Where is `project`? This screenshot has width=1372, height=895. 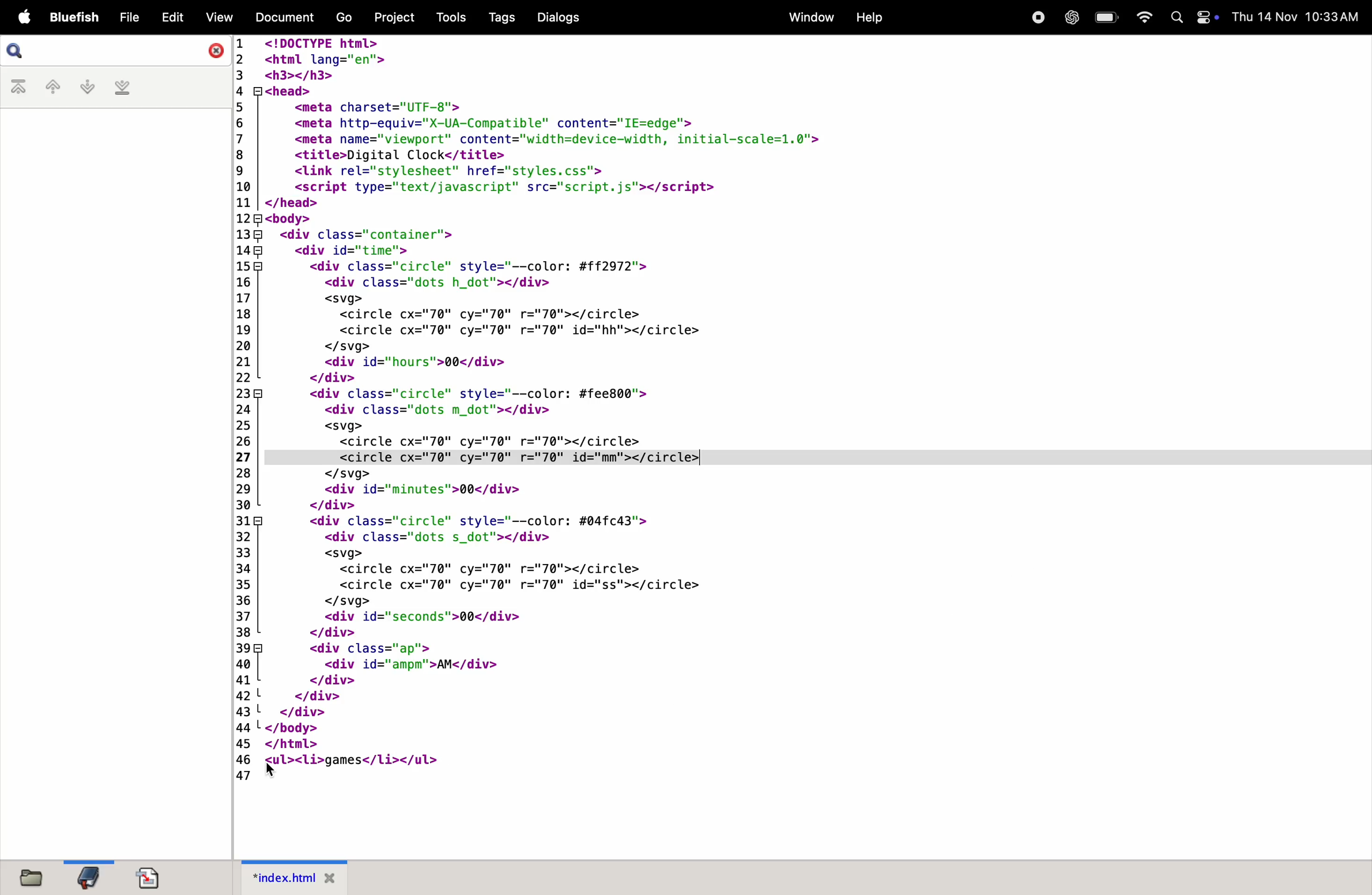
project is located at coordinates (393, 18).